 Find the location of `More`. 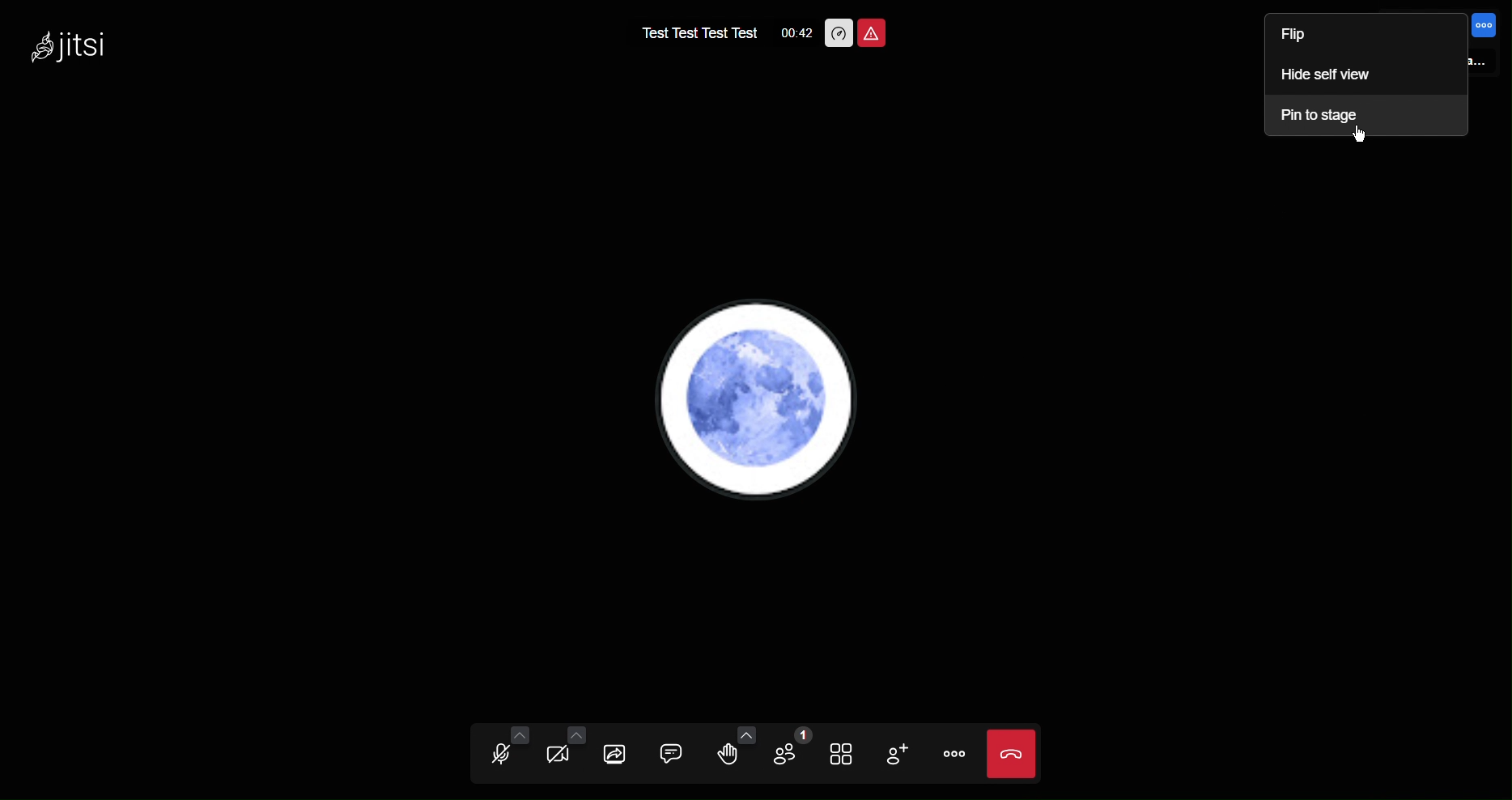

More is located at coordinates (952, 755).